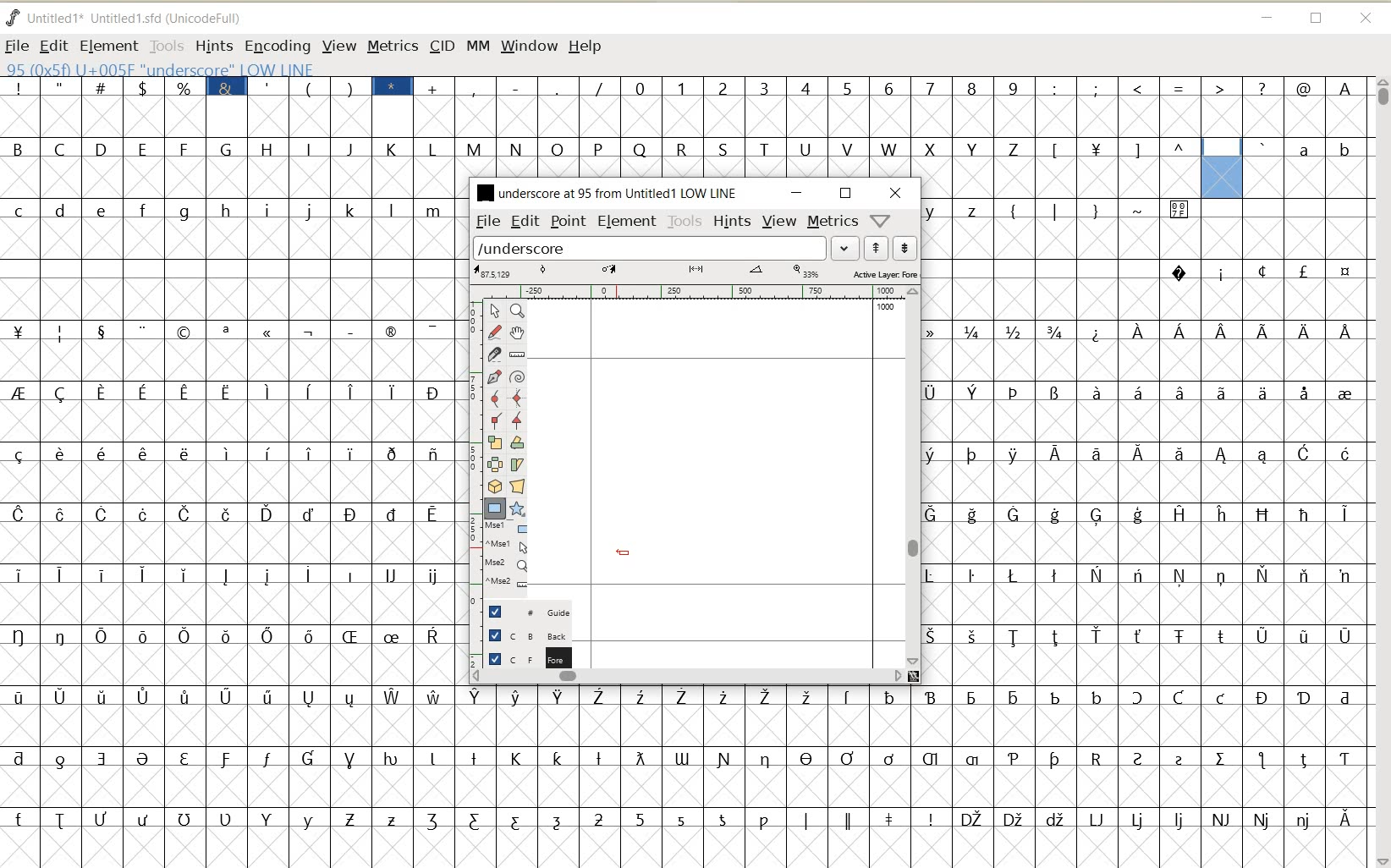 The image size is (1391, 868). What do you see at coordinates (689, 151) in the screenshot?
I see `GLYPHY CHARACTERS` at bounding box center [689, 151].